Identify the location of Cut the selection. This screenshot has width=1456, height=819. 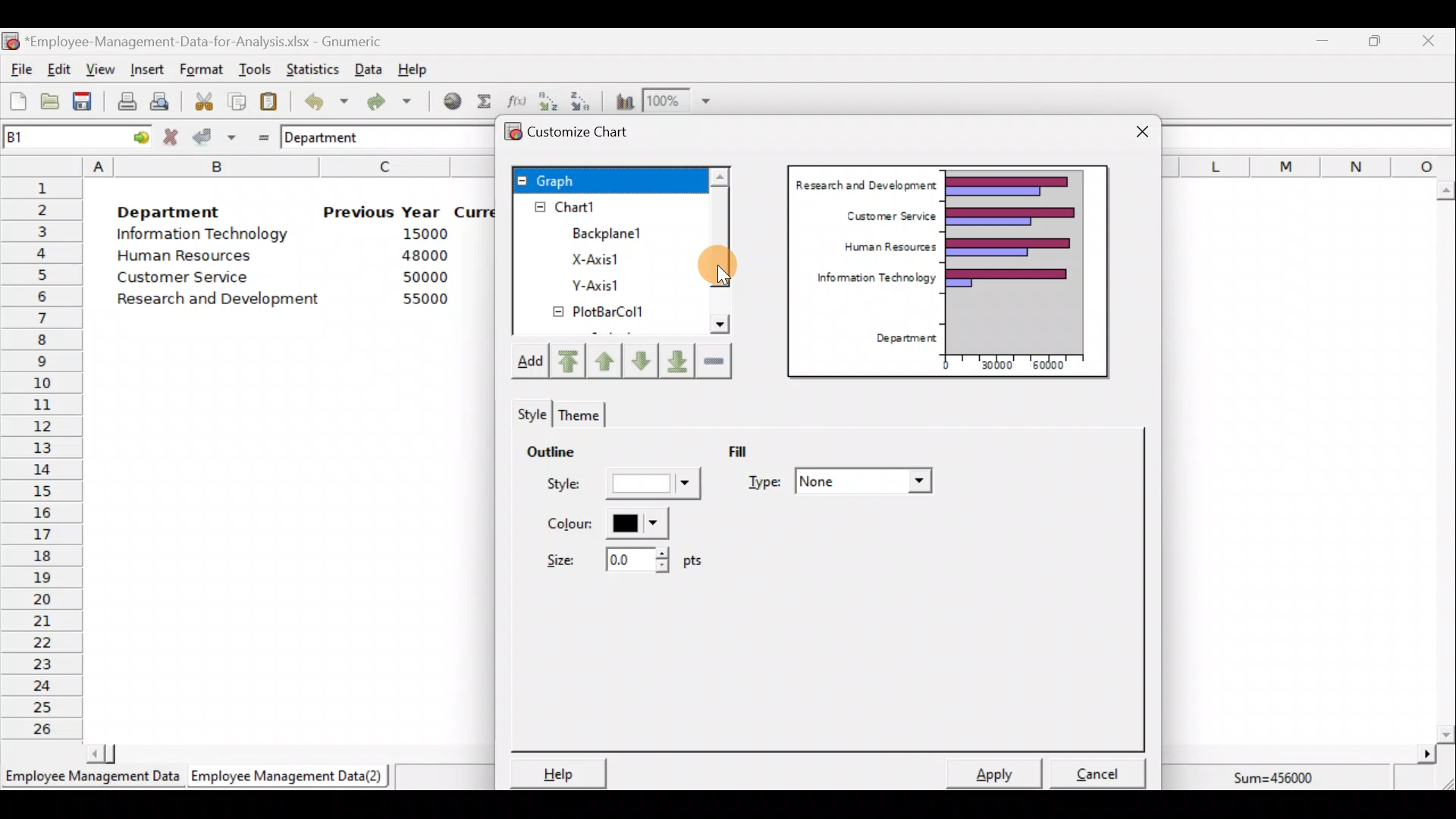
(199, 99).